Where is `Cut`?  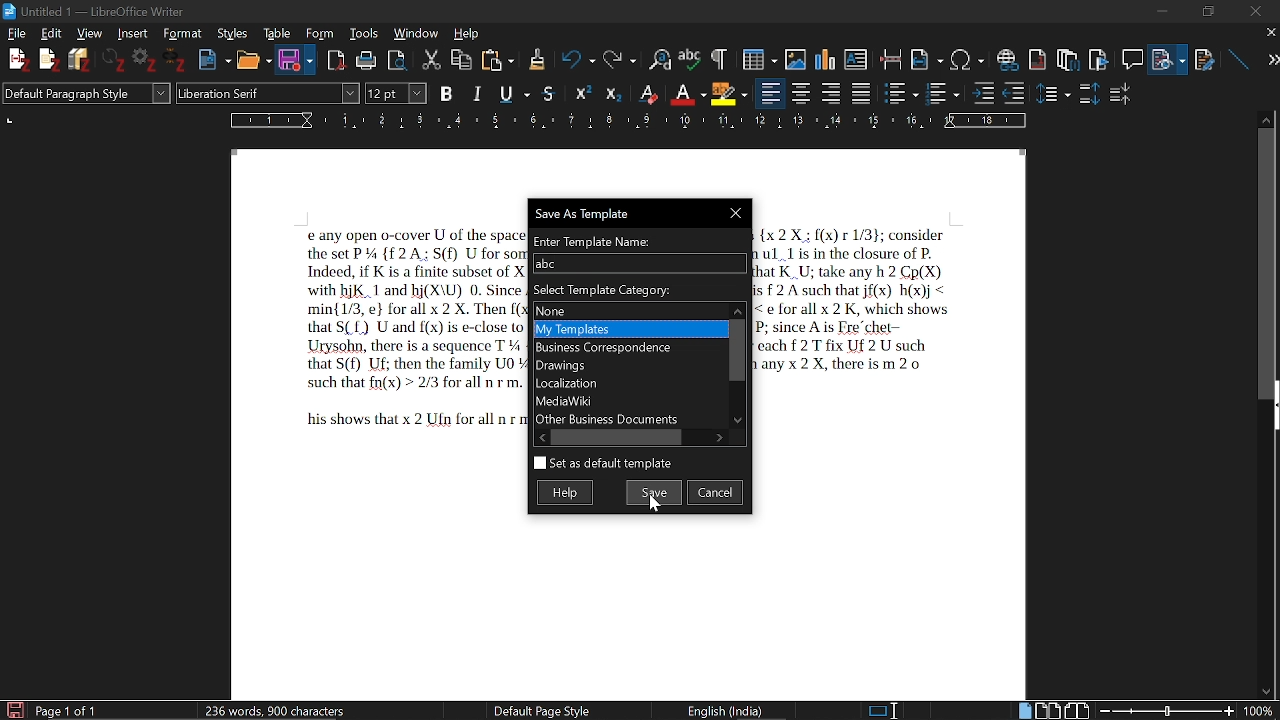 Cut is located at coordinates (433, 58).